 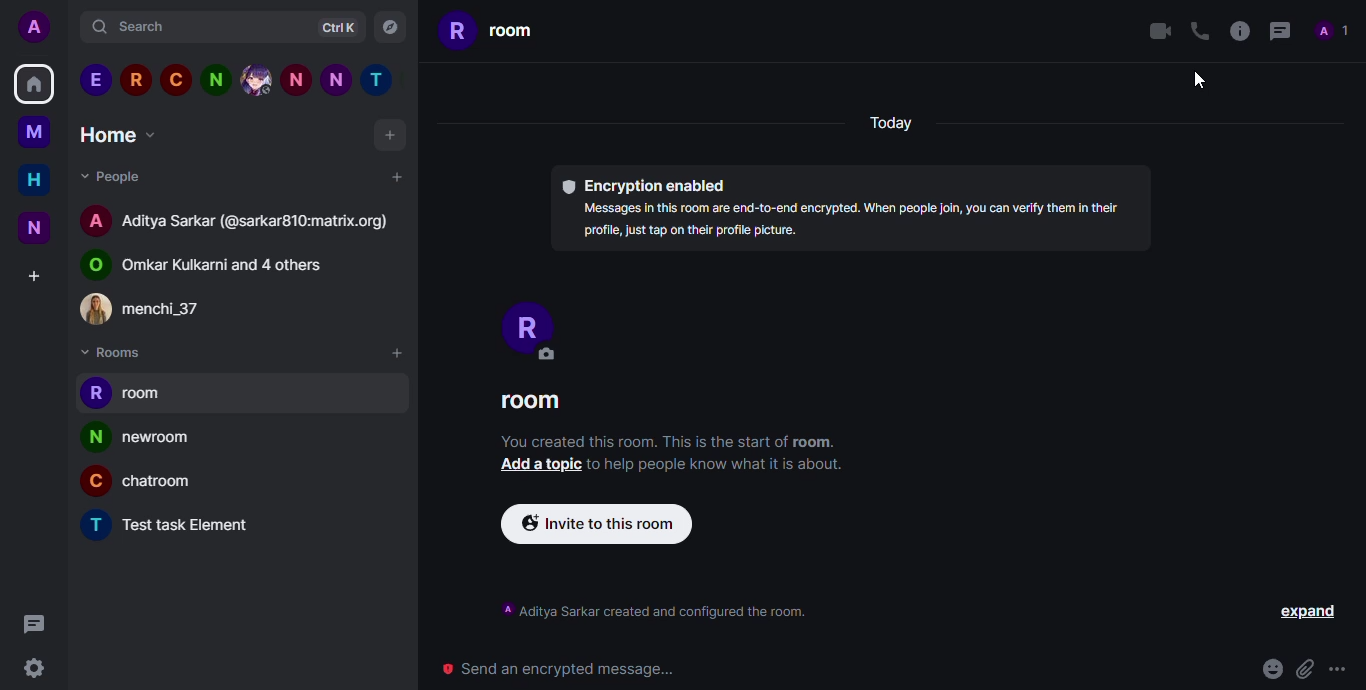 I want to click on Settings, so click(x=33, y=668).